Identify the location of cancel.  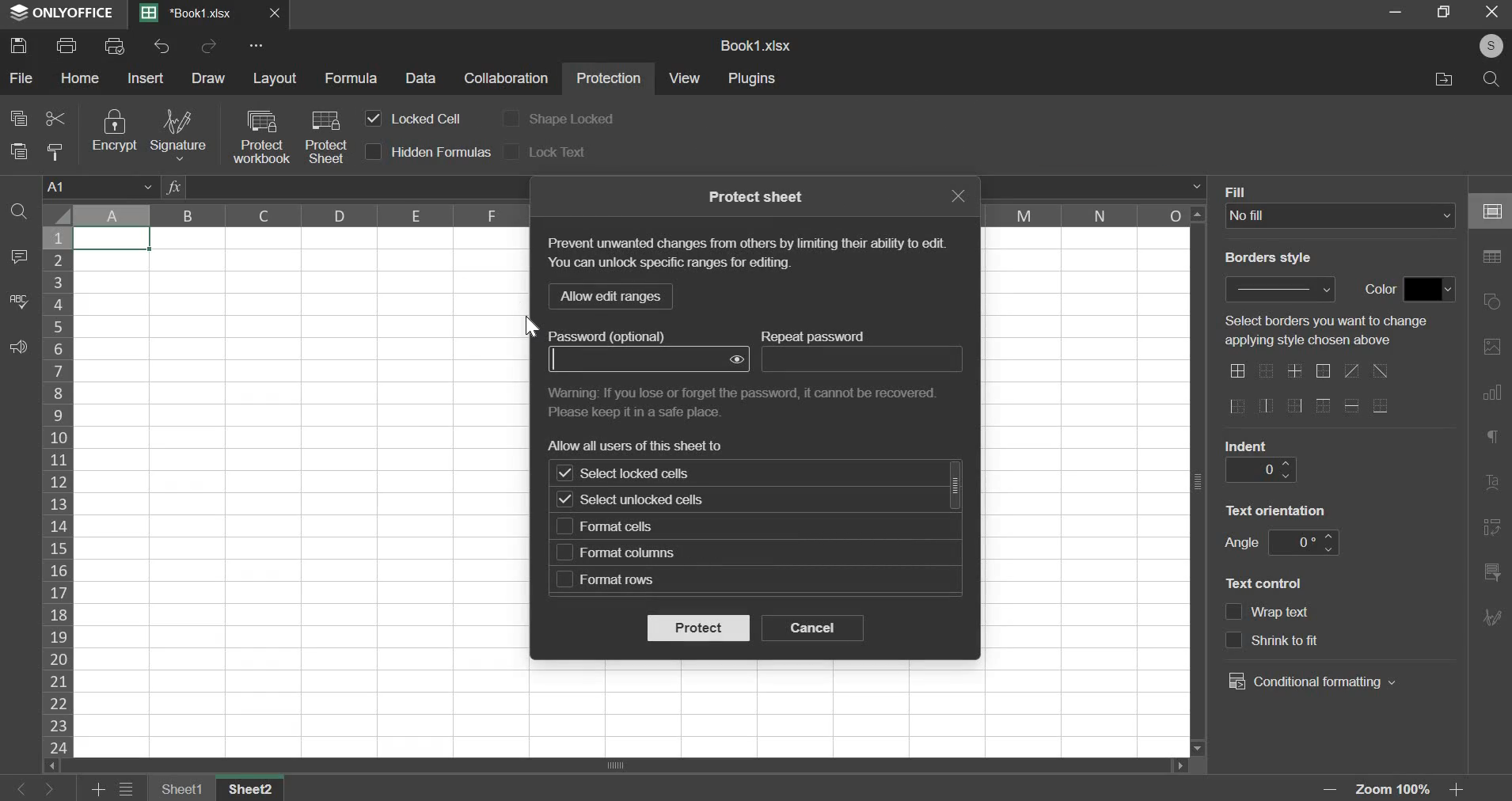
(813, 628).